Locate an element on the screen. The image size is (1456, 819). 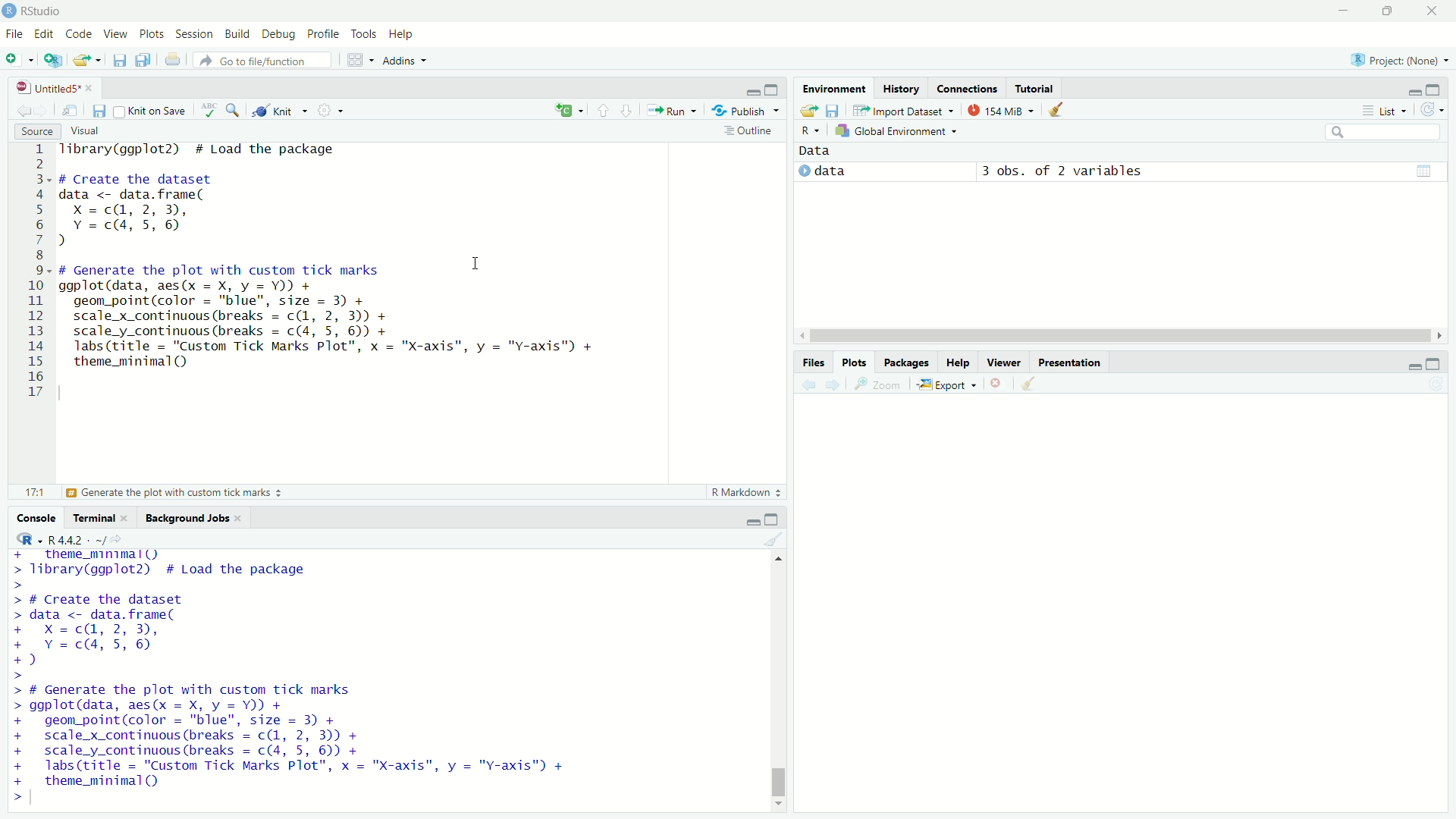
background jobs is located at coordinates (189, 518).